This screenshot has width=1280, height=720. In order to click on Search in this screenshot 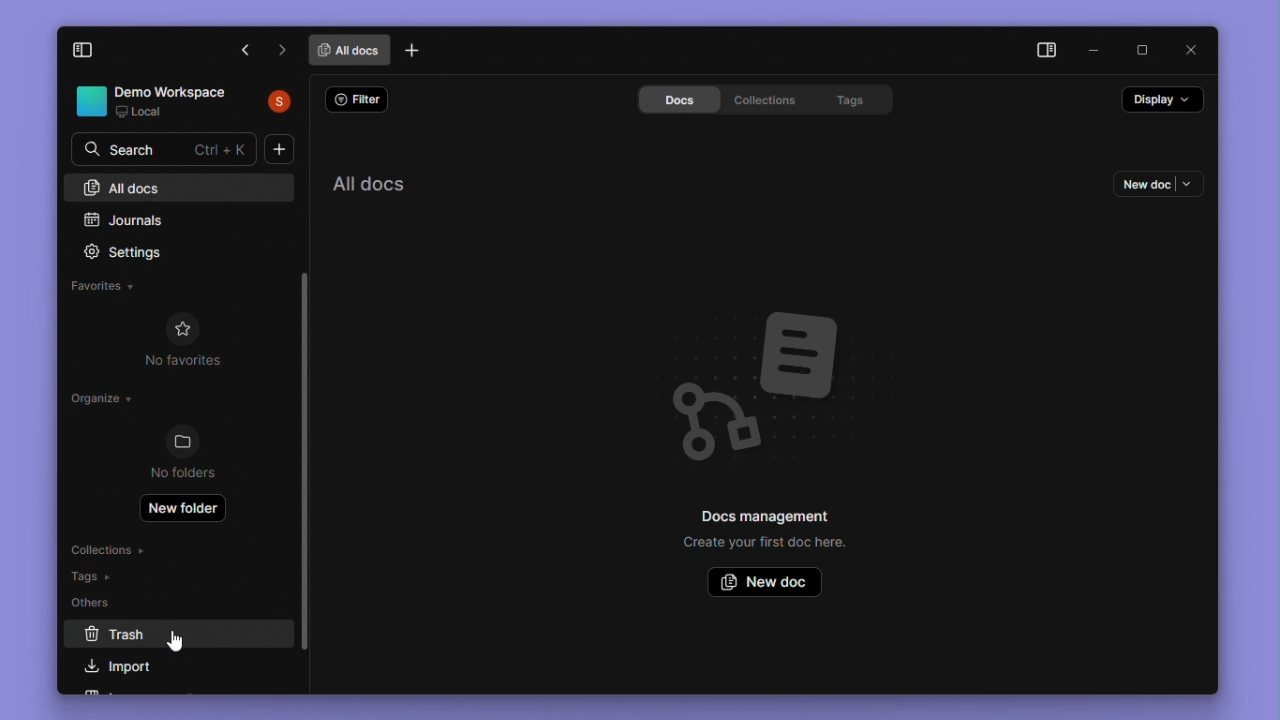, I will do `click(181, 148)`.